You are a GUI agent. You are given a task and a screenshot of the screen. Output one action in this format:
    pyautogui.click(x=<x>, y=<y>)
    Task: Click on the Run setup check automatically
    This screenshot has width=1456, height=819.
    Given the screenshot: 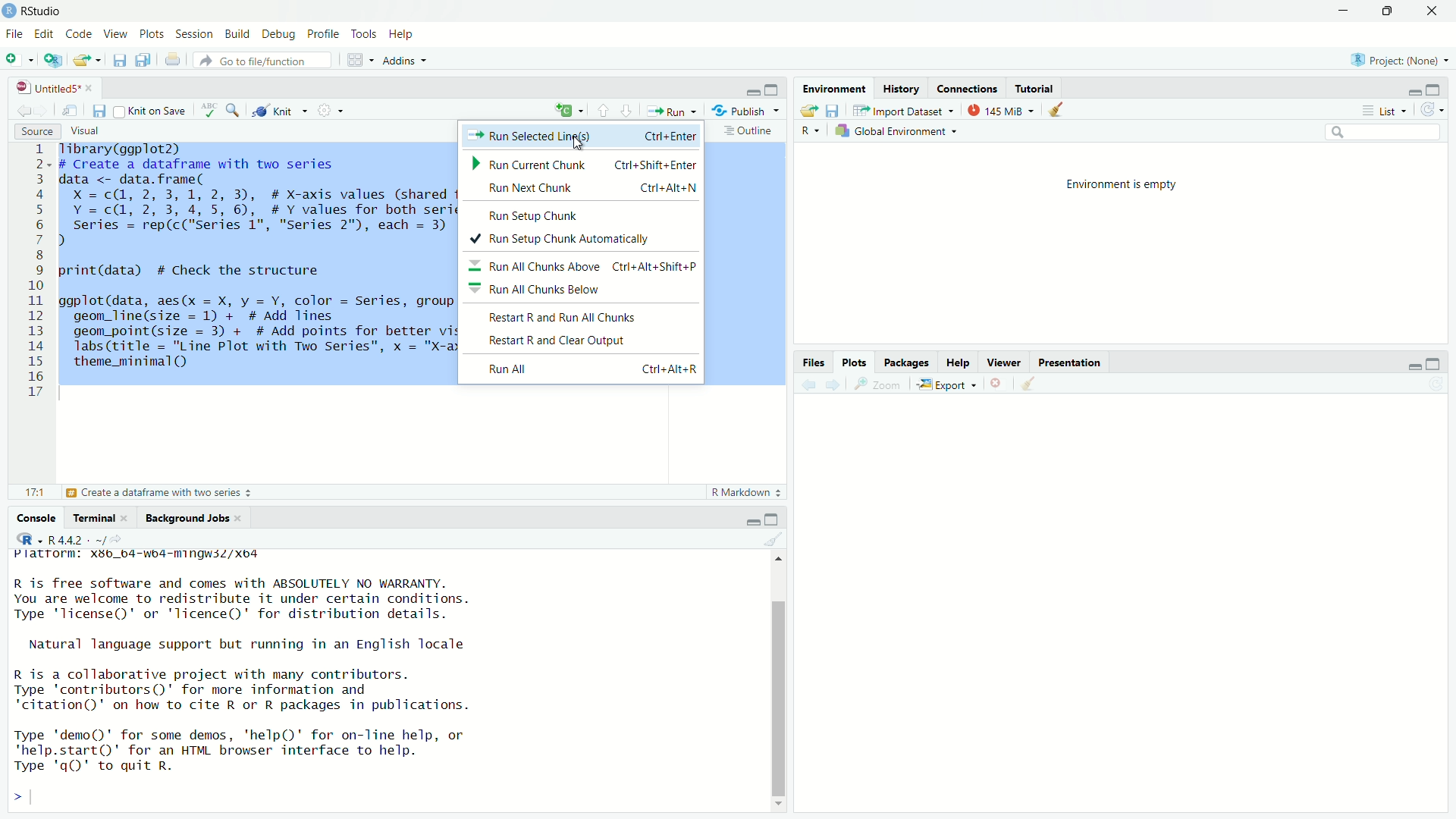 What is the action you would take?
    pyautogui.click(x=560, y=239)
    